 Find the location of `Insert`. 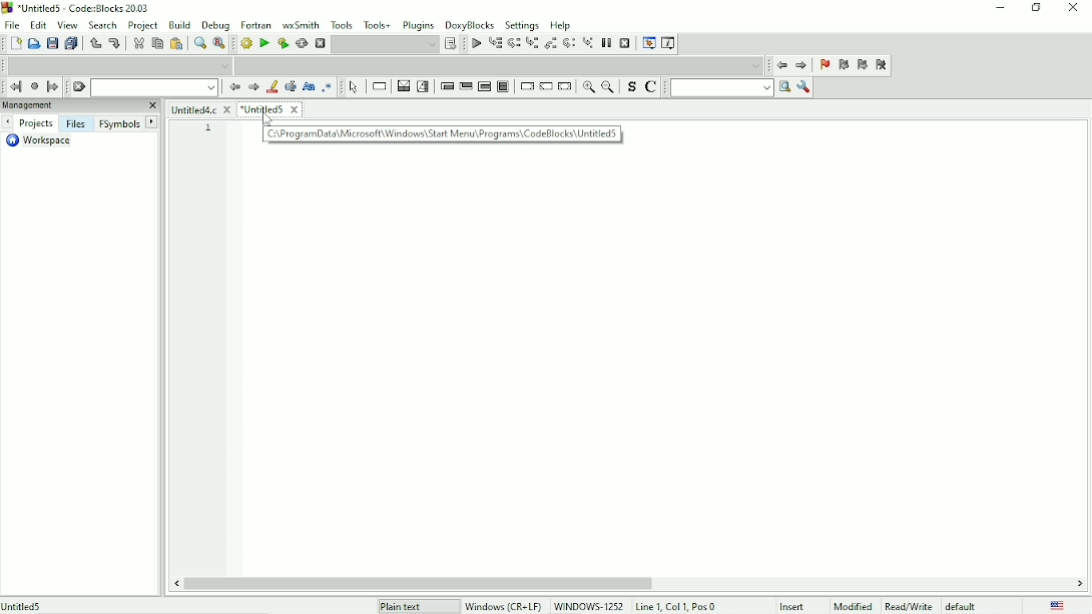

Insert is located at coordinates (794, 606).